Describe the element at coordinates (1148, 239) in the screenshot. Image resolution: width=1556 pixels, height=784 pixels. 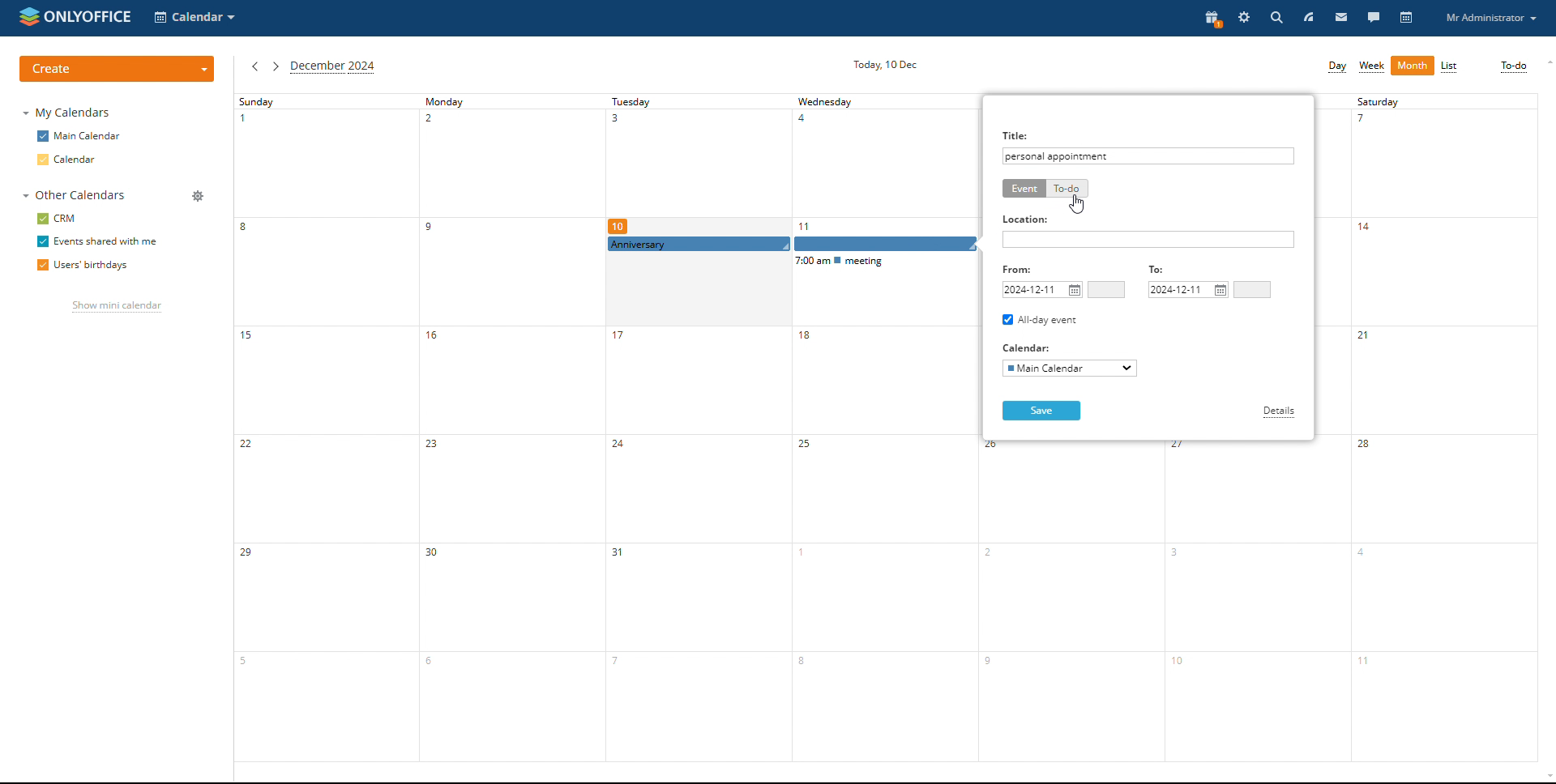
I see `add location` at that location.